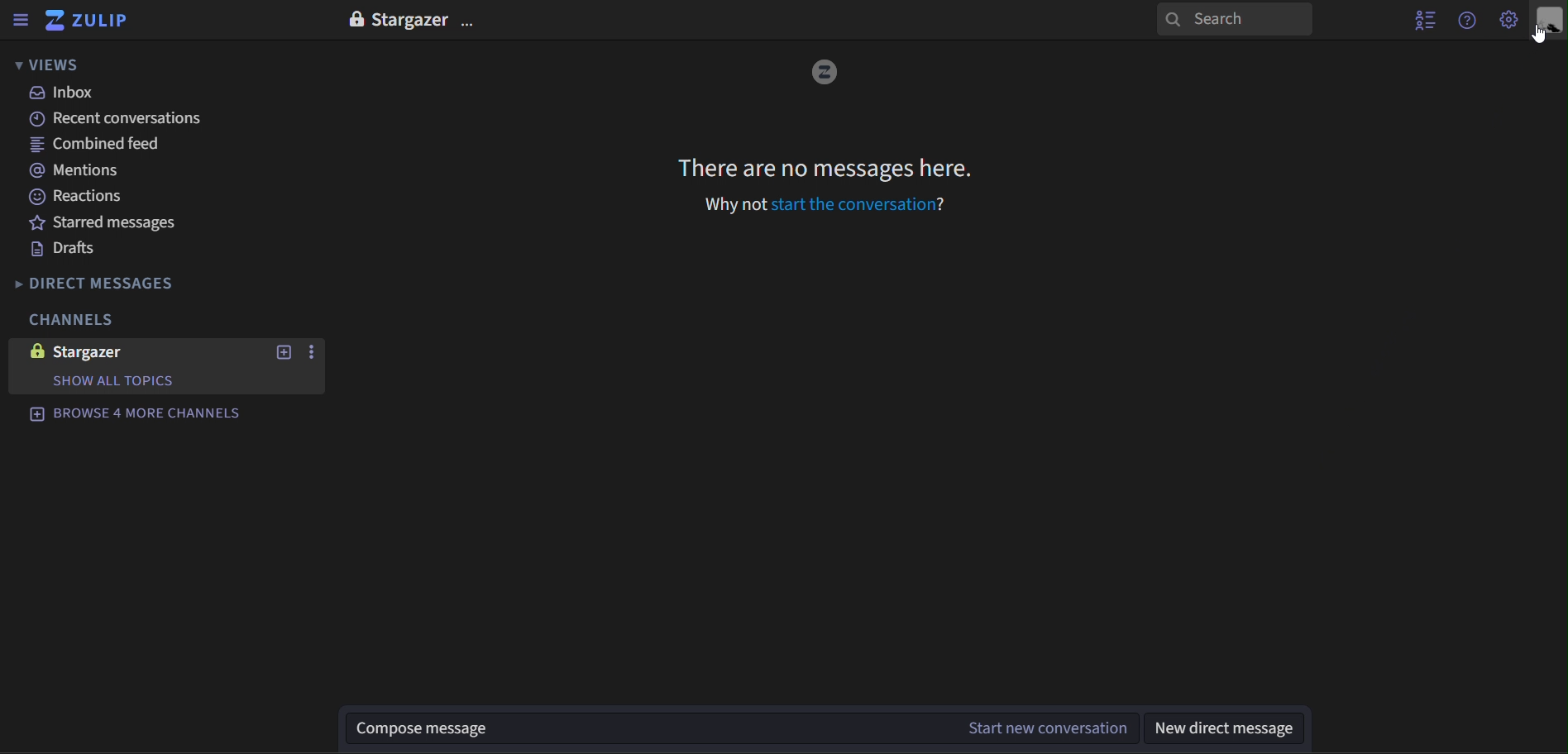 The width and height of the screenshot is (1568, 754). Describe the element at coordinates (1044, 728) in the screenshot. I see `start new conversation` at that location.